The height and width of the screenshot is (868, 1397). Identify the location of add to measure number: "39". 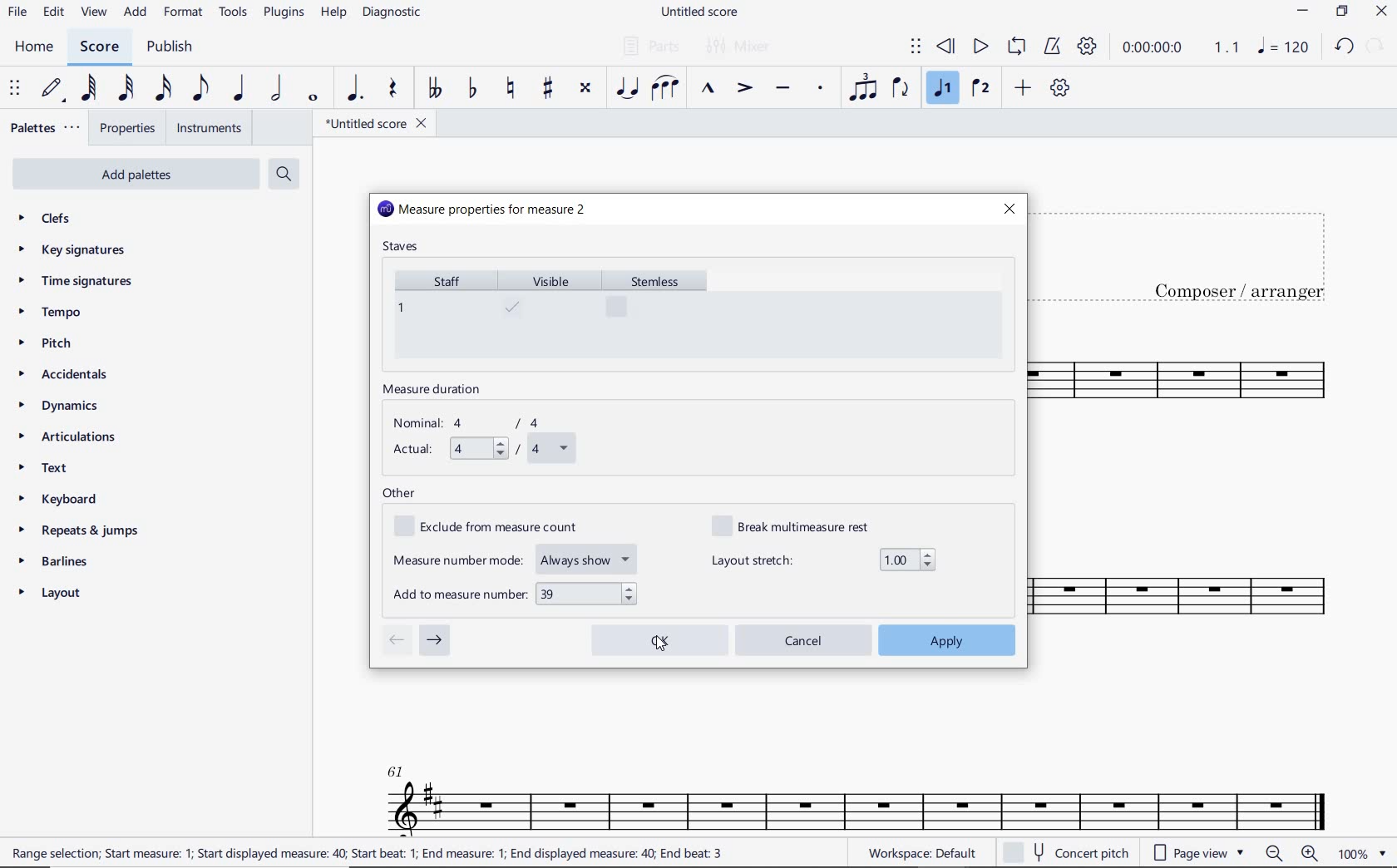
(516, 594).